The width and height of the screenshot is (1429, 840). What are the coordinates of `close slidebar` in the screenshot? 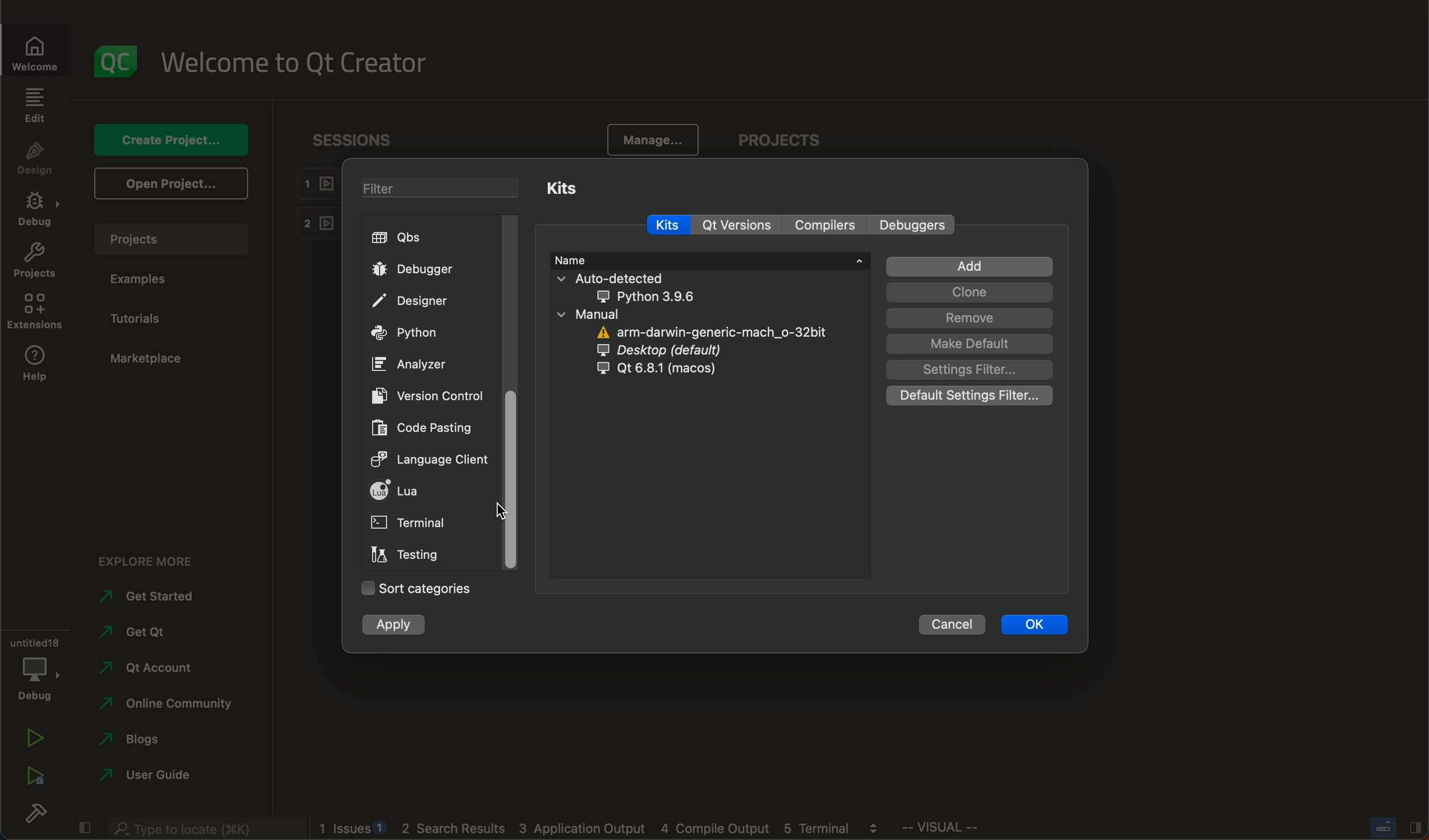 It's located at (1390, 829).